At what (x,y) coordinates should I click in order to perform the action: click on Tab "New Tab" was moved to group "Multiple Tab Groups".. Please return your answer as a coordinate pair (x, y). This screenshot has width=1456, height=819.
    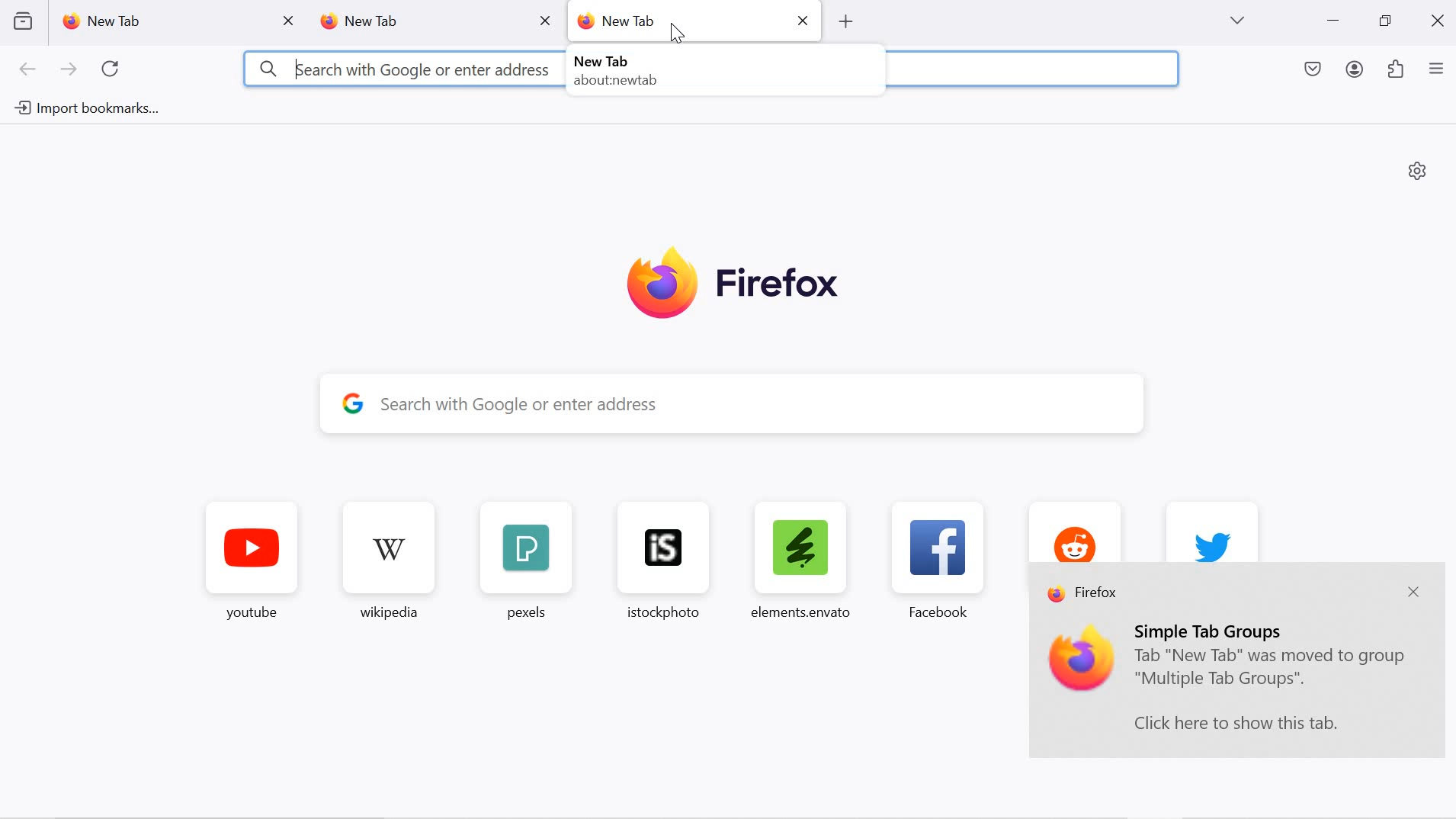
    Looking at the image, I should click on (1272, 670).